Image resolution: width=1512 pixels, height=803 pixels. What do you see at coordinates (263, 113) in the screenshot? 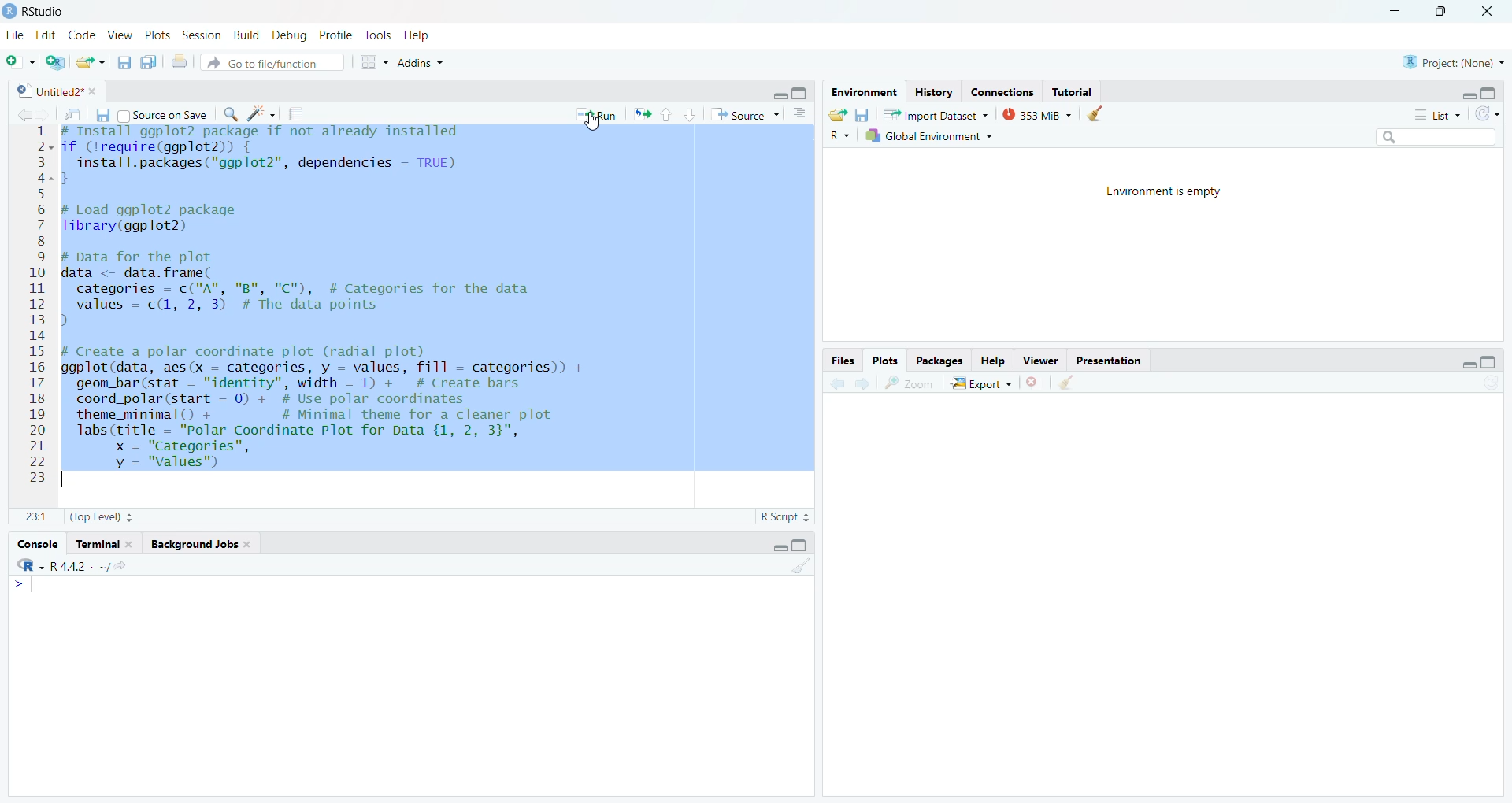
I see `code tools` at bounding box center [263, 113].